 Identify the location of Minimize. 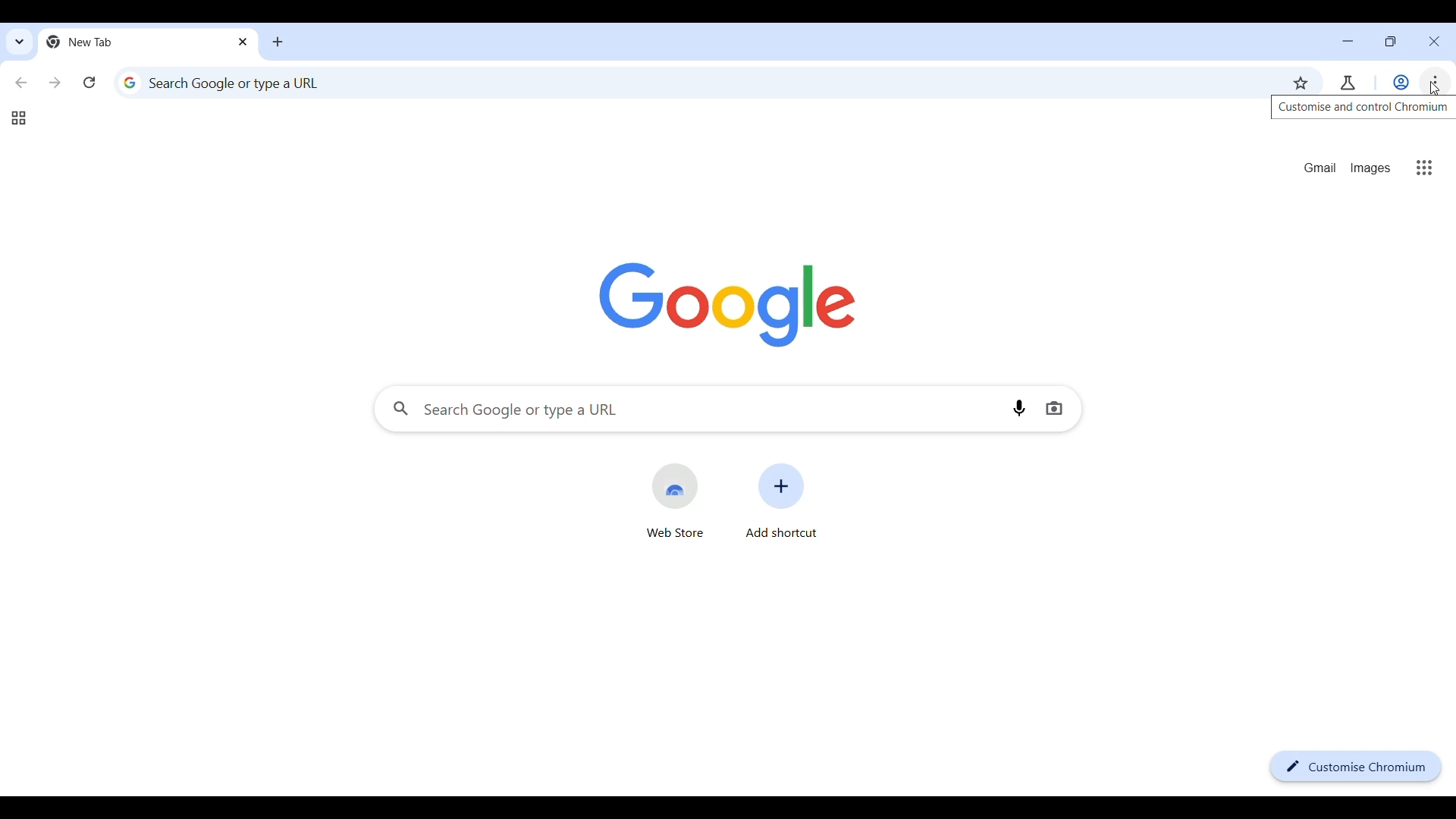
(1348, 41).